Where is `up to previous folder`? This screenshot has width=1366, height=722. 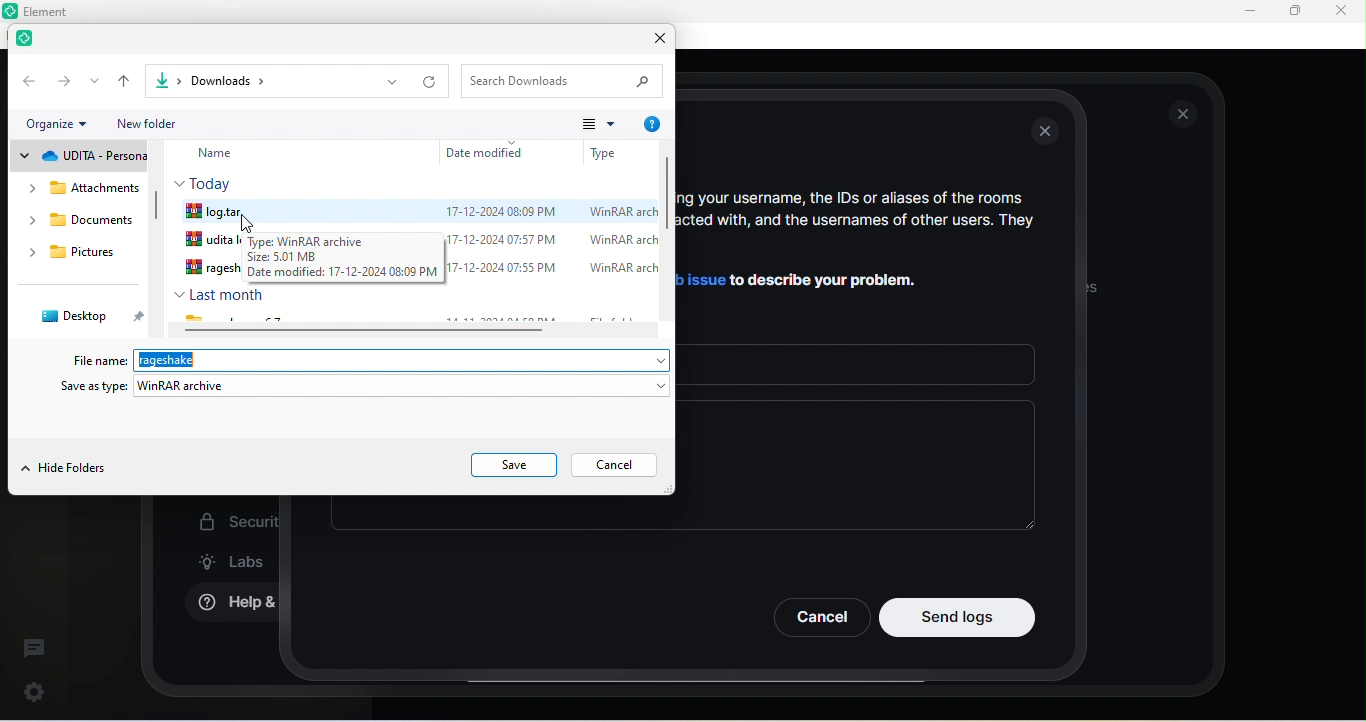
up to previous folder is located at coordinates (126, 81).